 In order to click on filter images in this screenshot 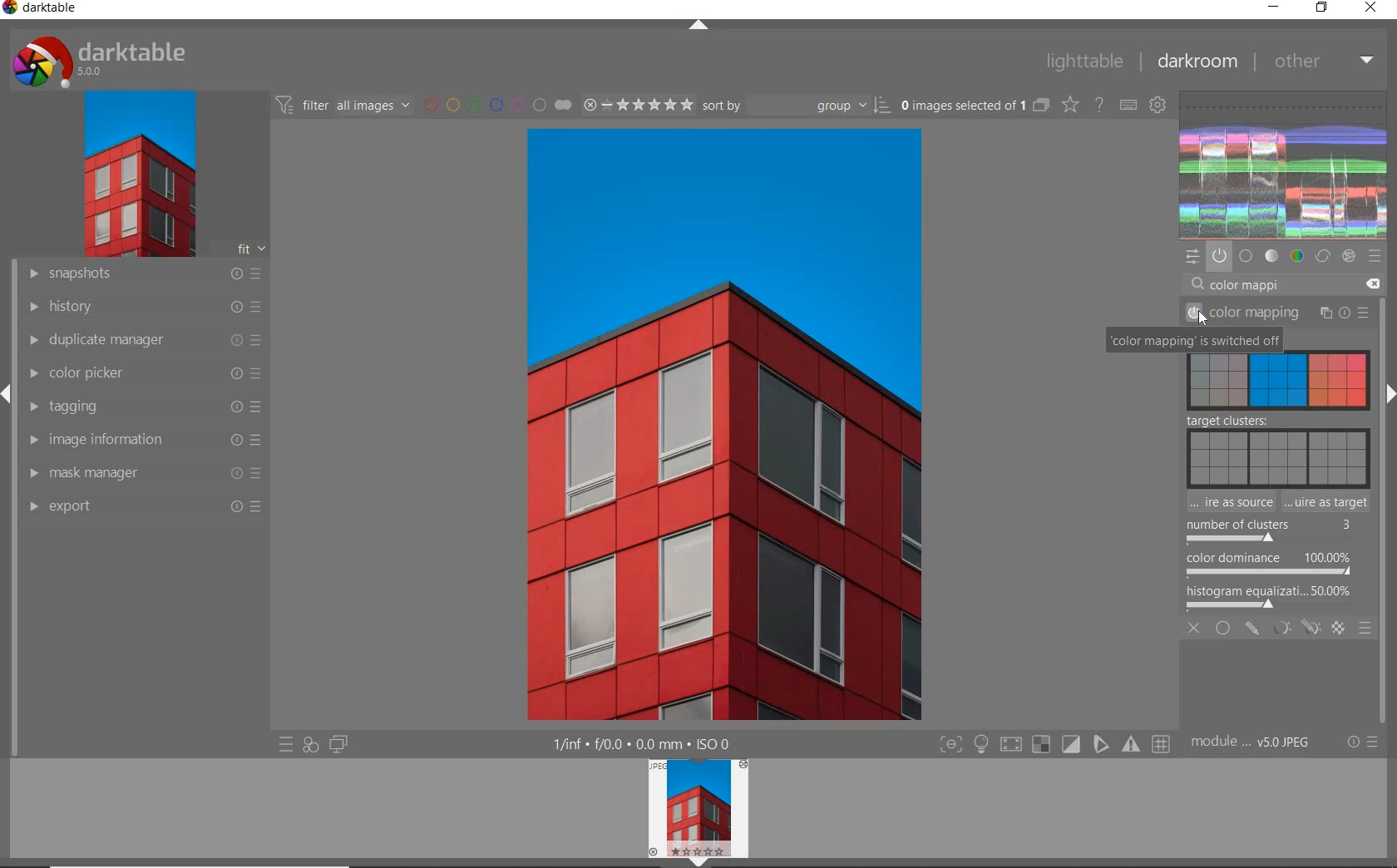, I will do `click(342, 104)`.